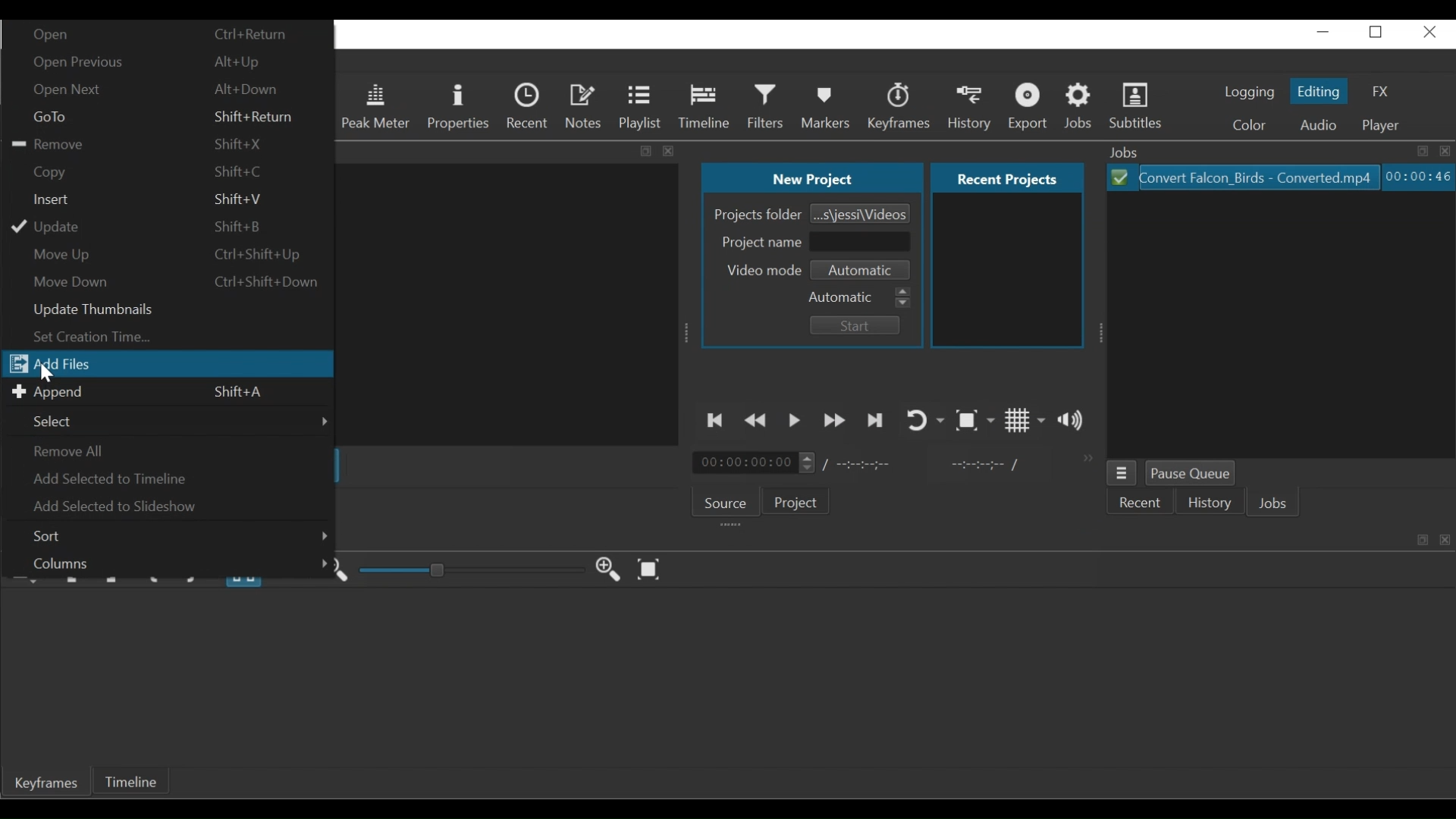 The image size is (1456, 819). Describe the element at coordinates (607, 570) in the screenshot. I see `Zoom Keyframe in` at that location.